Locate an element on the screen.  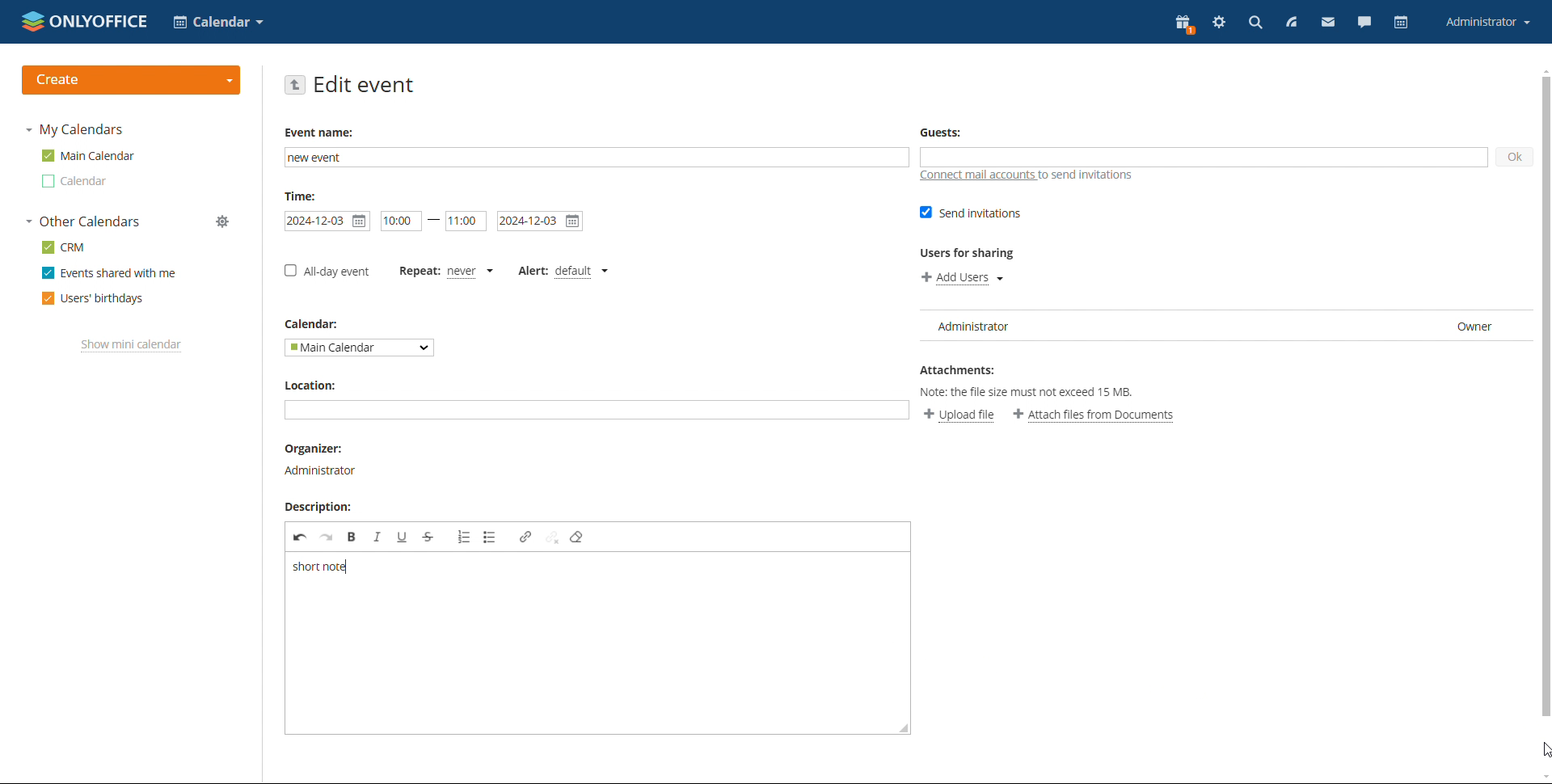
resize is located at coordinates (903, 727).